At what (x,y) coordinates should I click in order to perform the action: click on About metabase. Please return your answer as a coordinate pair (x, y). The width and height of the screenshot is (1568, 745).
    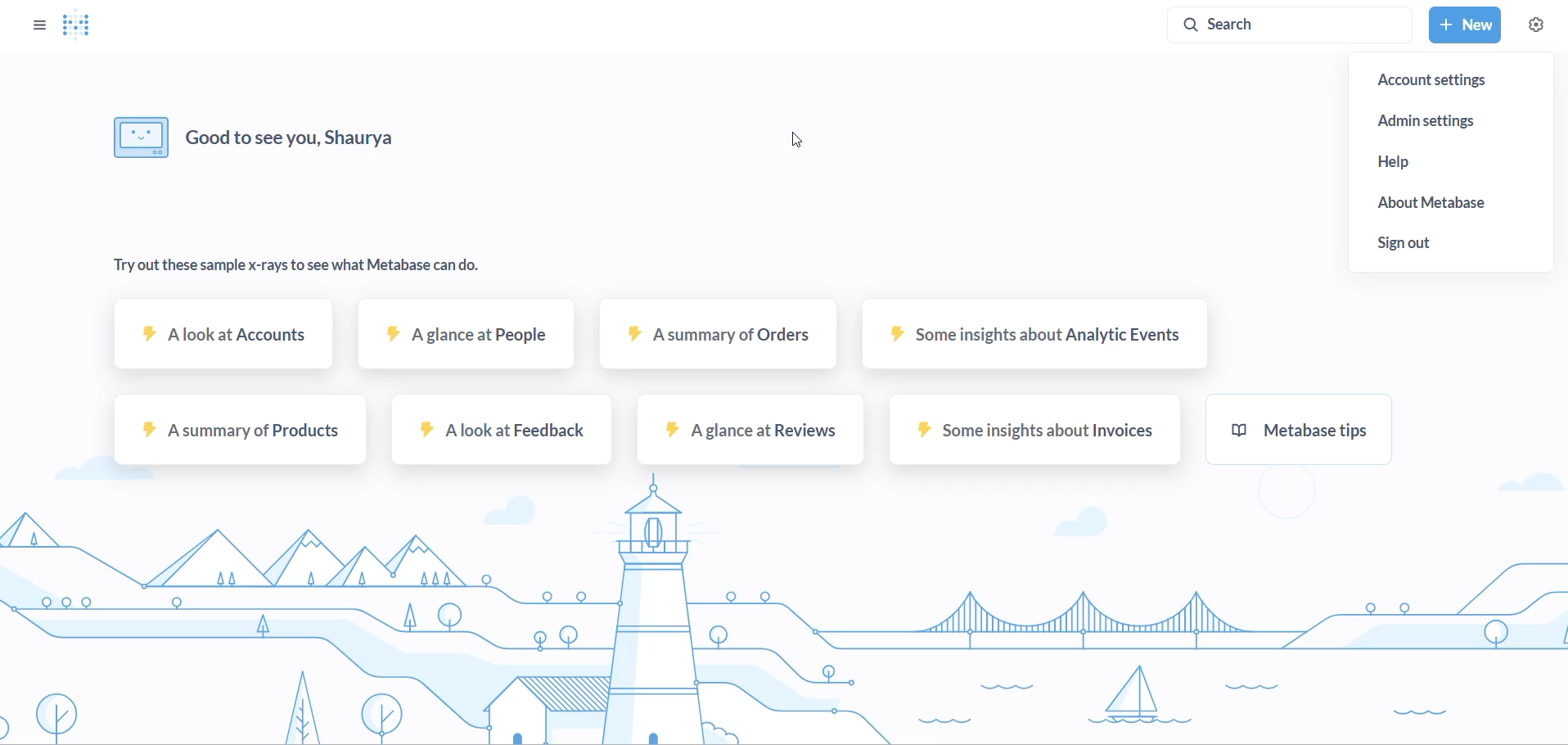
    Looking at the image, I should click on (1458, 202).